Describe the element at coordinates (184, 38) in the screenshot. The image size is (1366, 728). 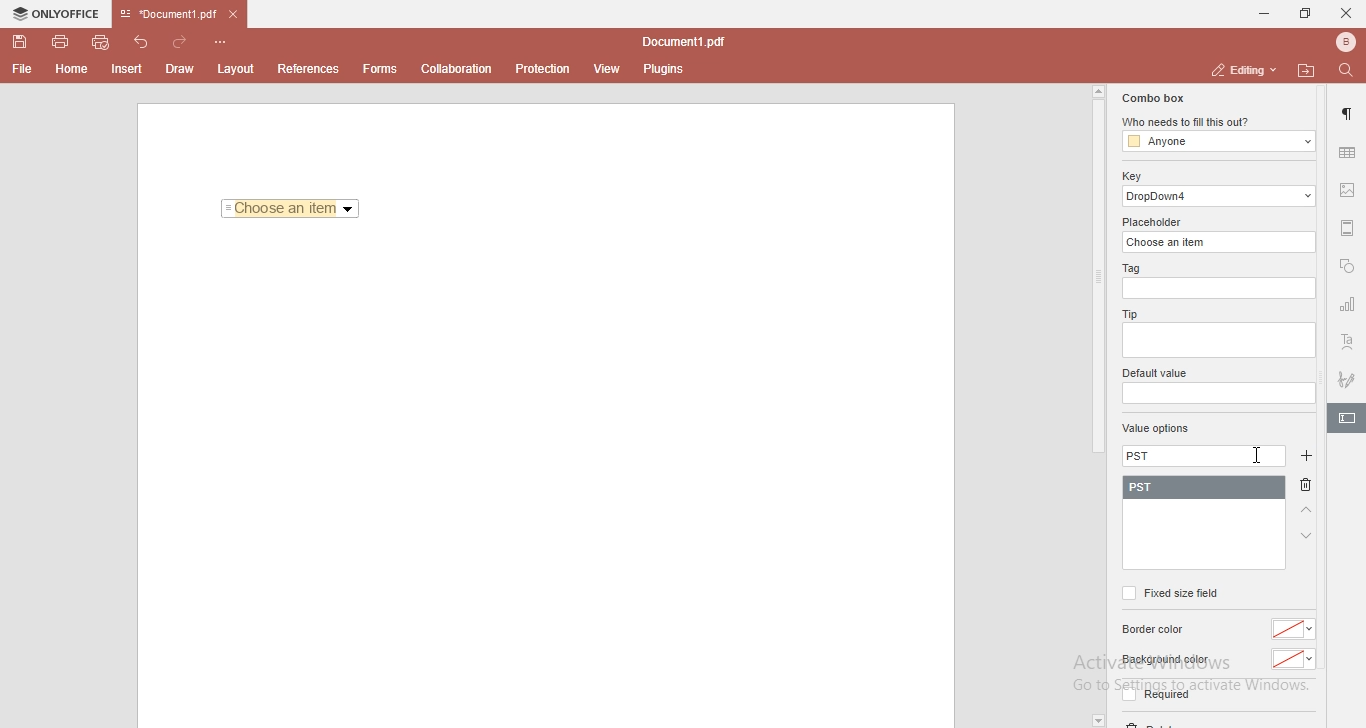
I see `redo` at that location.